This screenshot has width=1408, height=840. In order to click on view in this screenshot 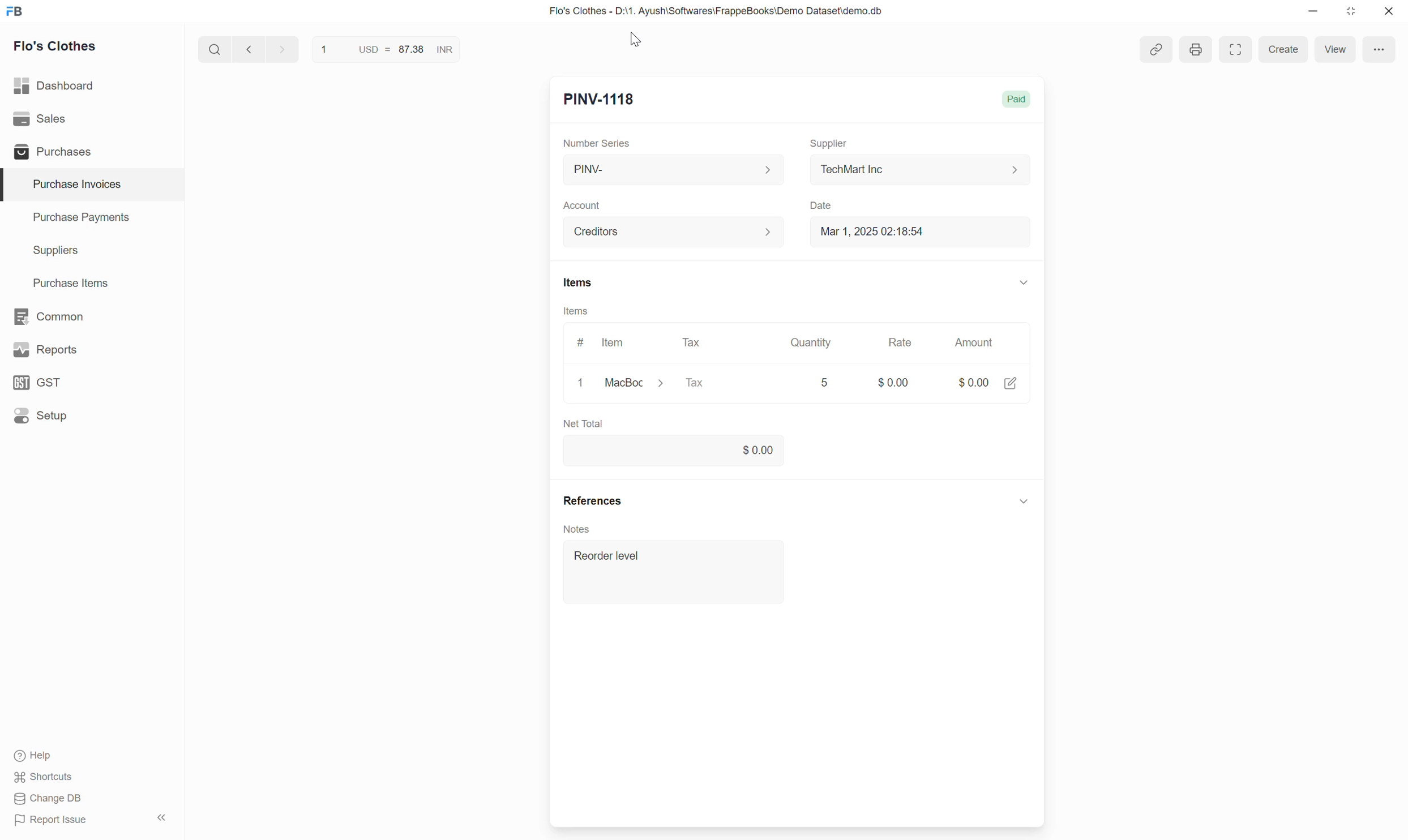, I will do `click(1336, 49)`.